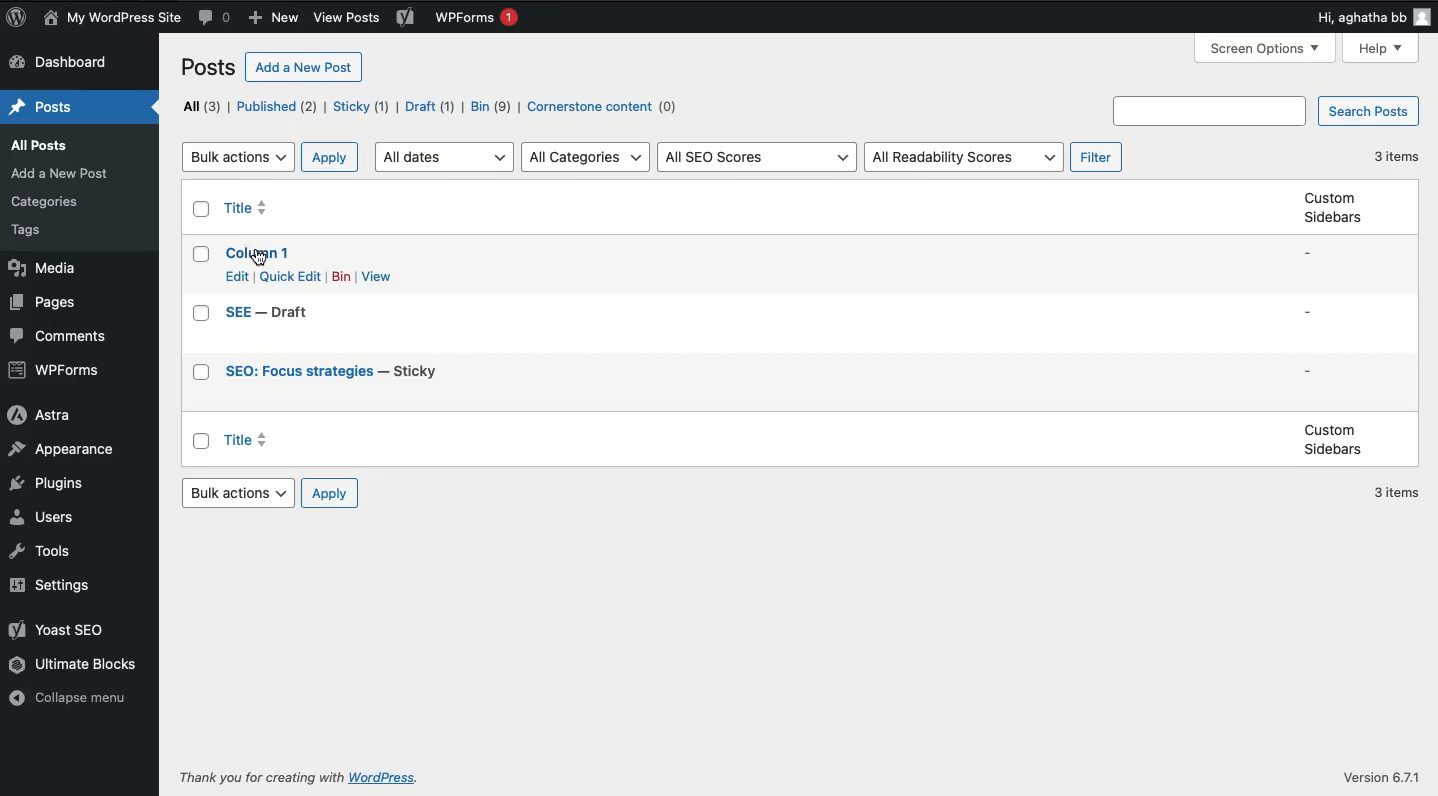 The height and width of the screenshot is (796, 1438). What do you see at coordinates (601, 108) in the screenshot?
I see `Cornerstone content` at bounding box center [601, 108].